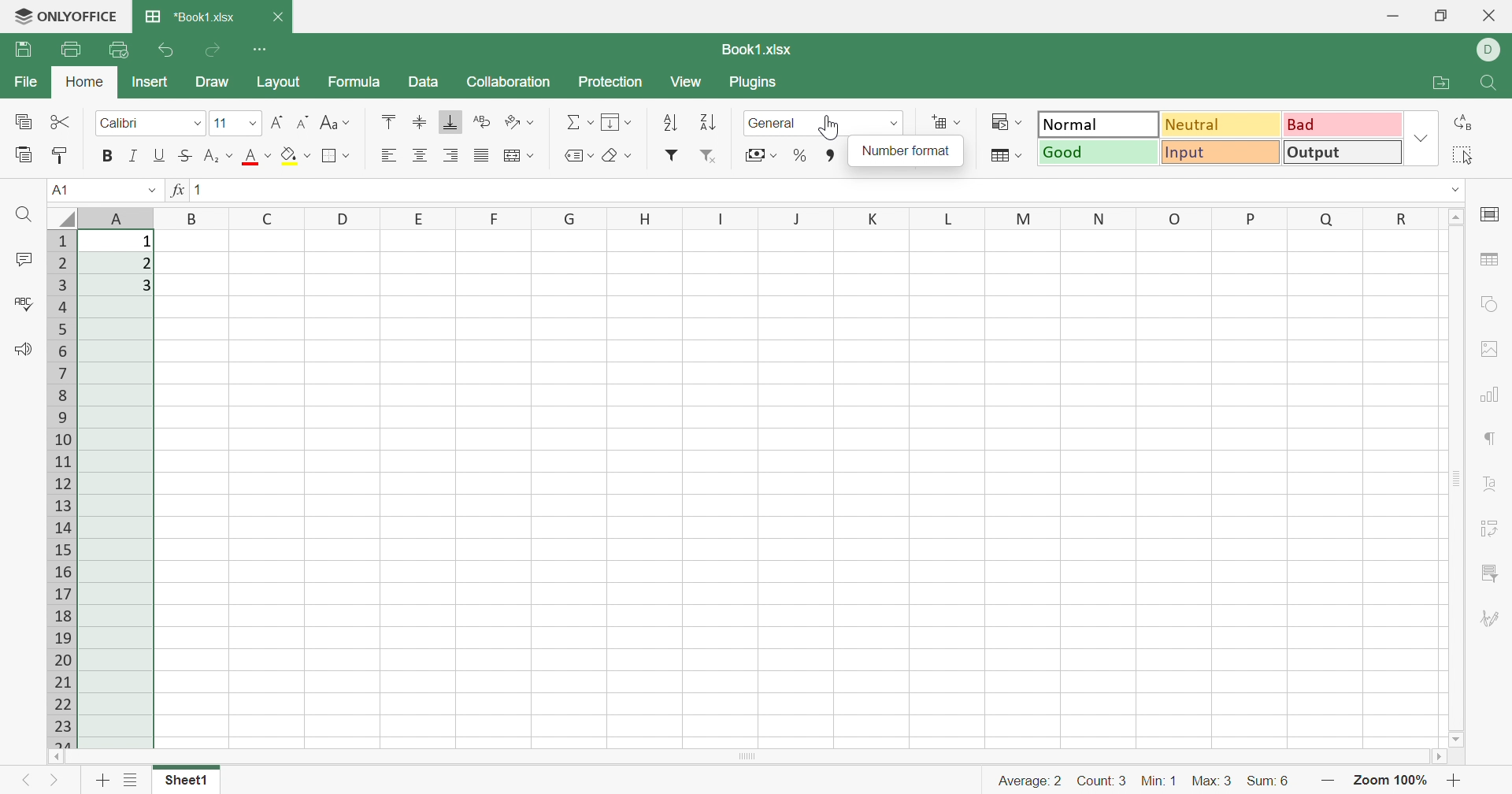 This screenshot has height=794, width=1512. Describe the element at coordinates (190, 15) in the screenshot. I see `*Book1.xlsx` at that location.